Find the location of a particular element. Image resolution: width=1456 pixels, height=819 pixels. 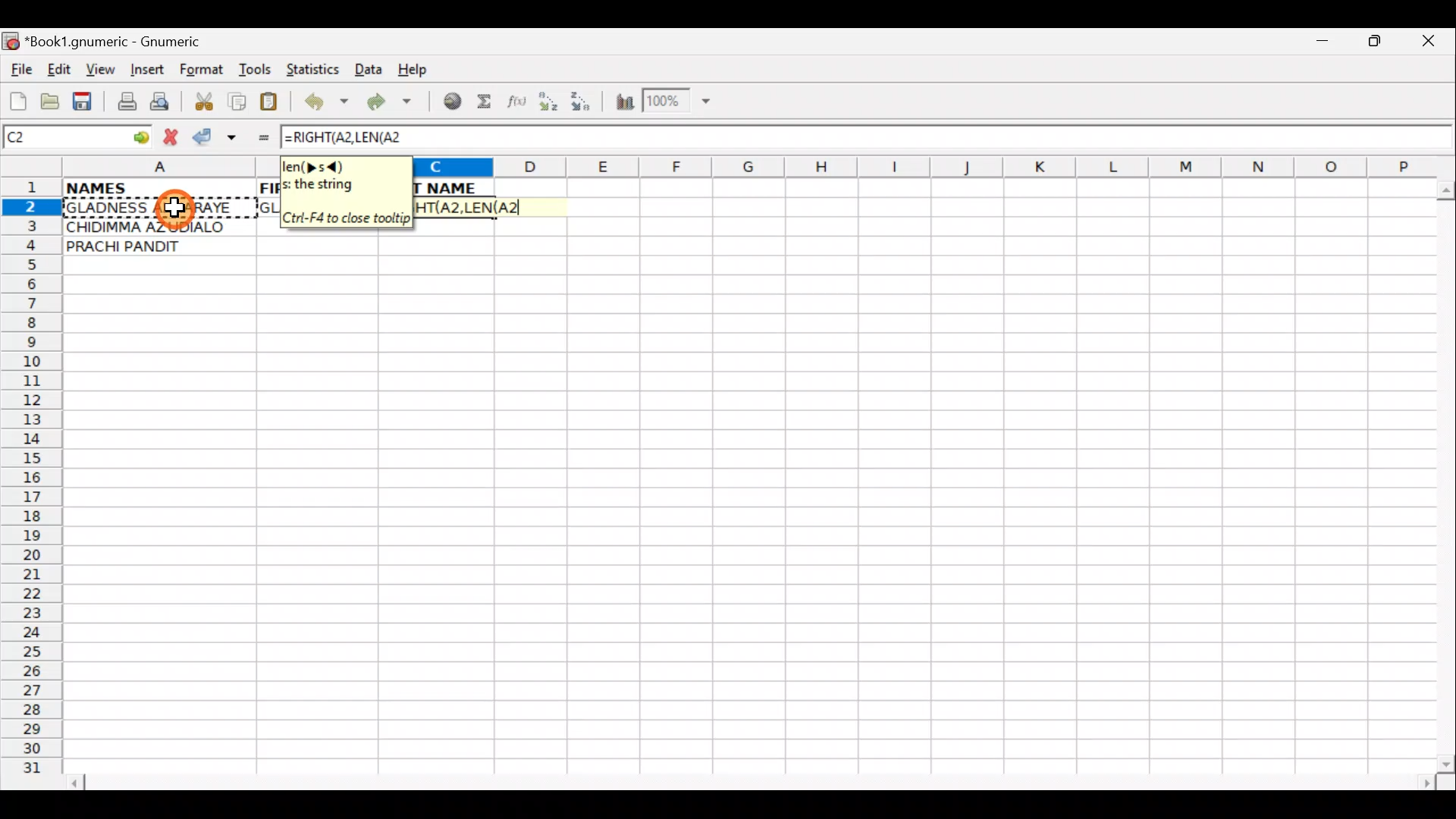

Maximize is located at coordinates (1377, 44).